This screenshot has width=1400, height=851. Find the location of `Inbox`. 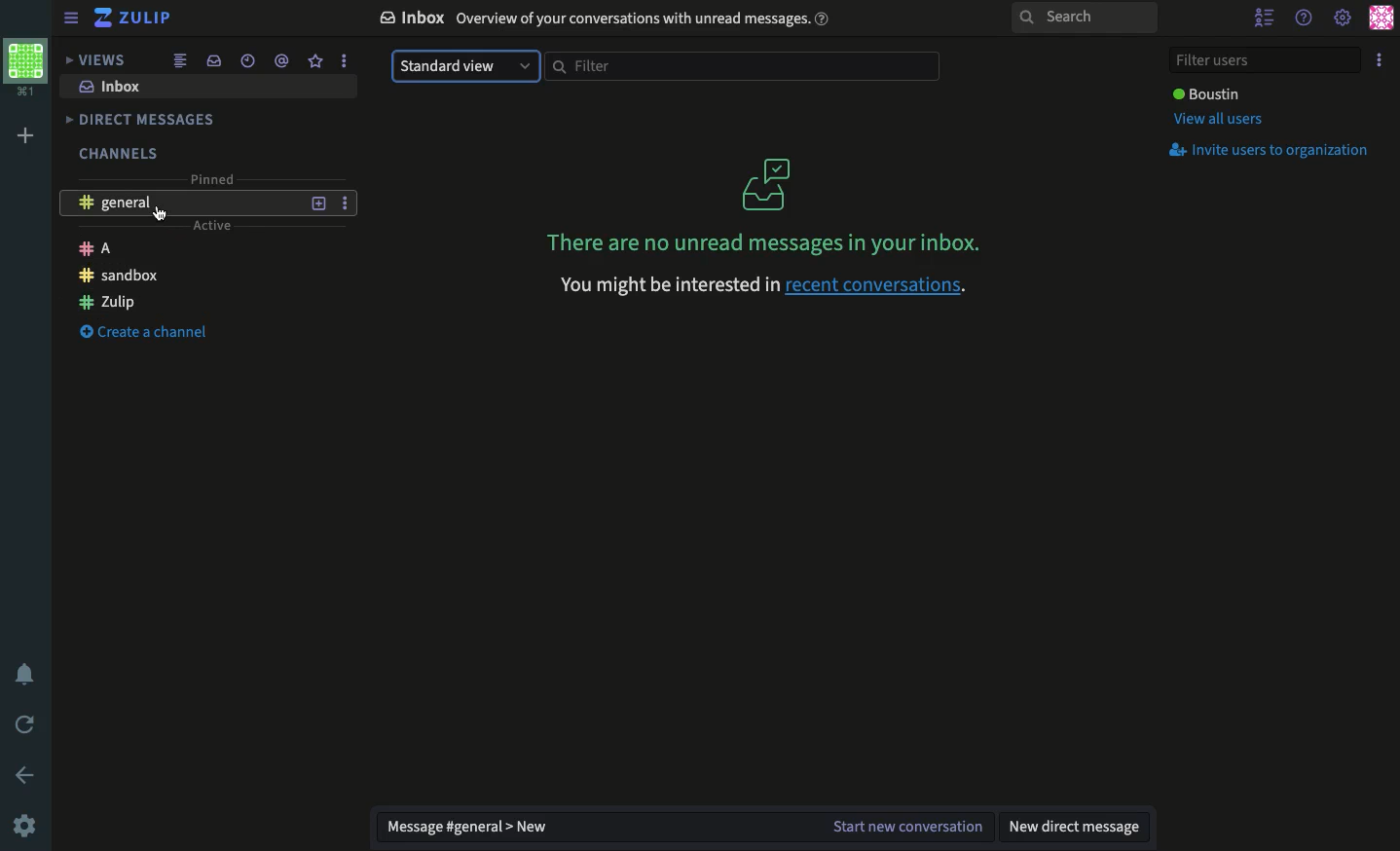

Inbox is located at coordinates (614, 20).